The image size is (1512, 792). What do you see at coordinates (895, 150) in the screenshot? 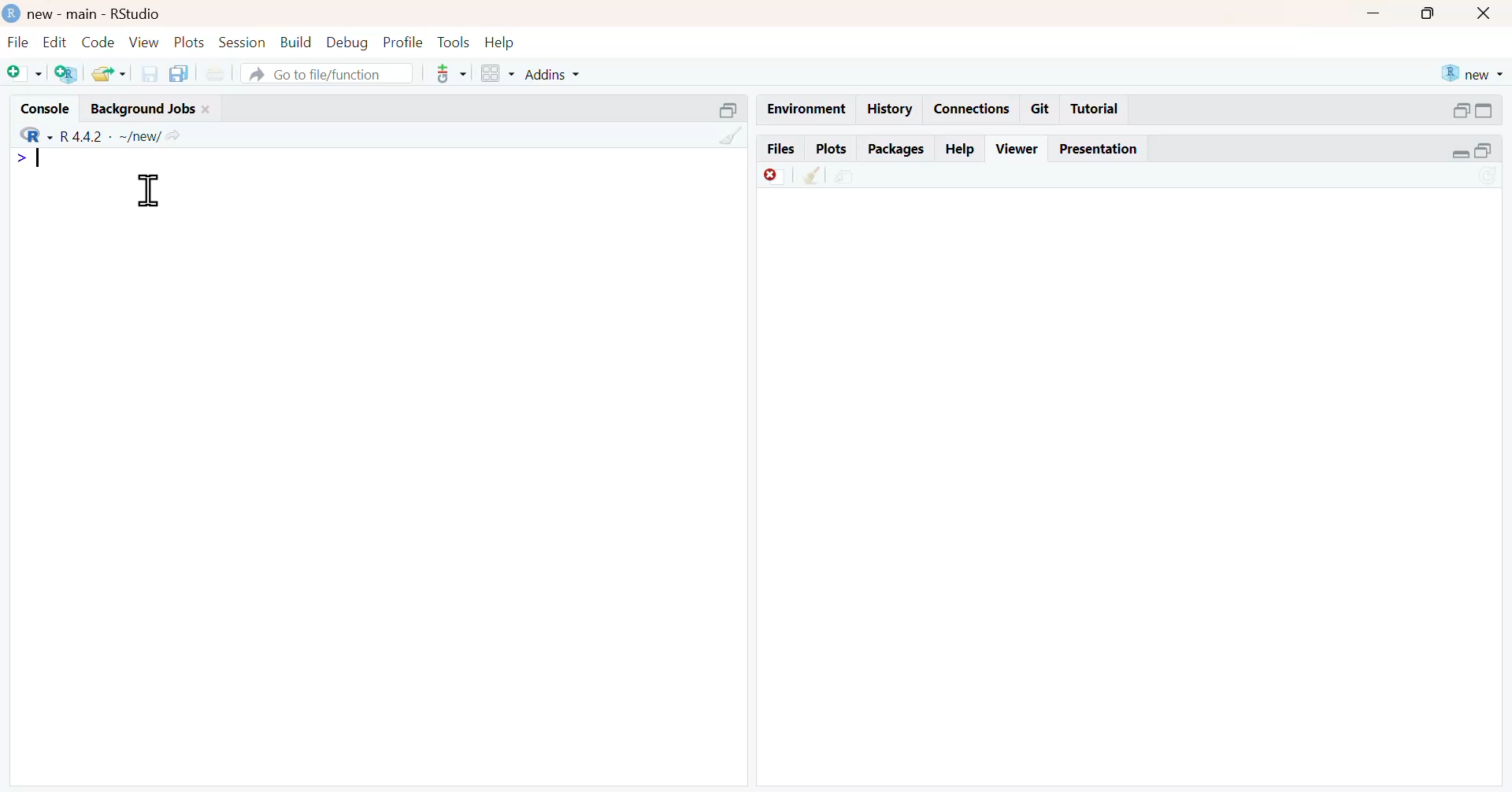
I see `packages` at bounding box center [895, 150].